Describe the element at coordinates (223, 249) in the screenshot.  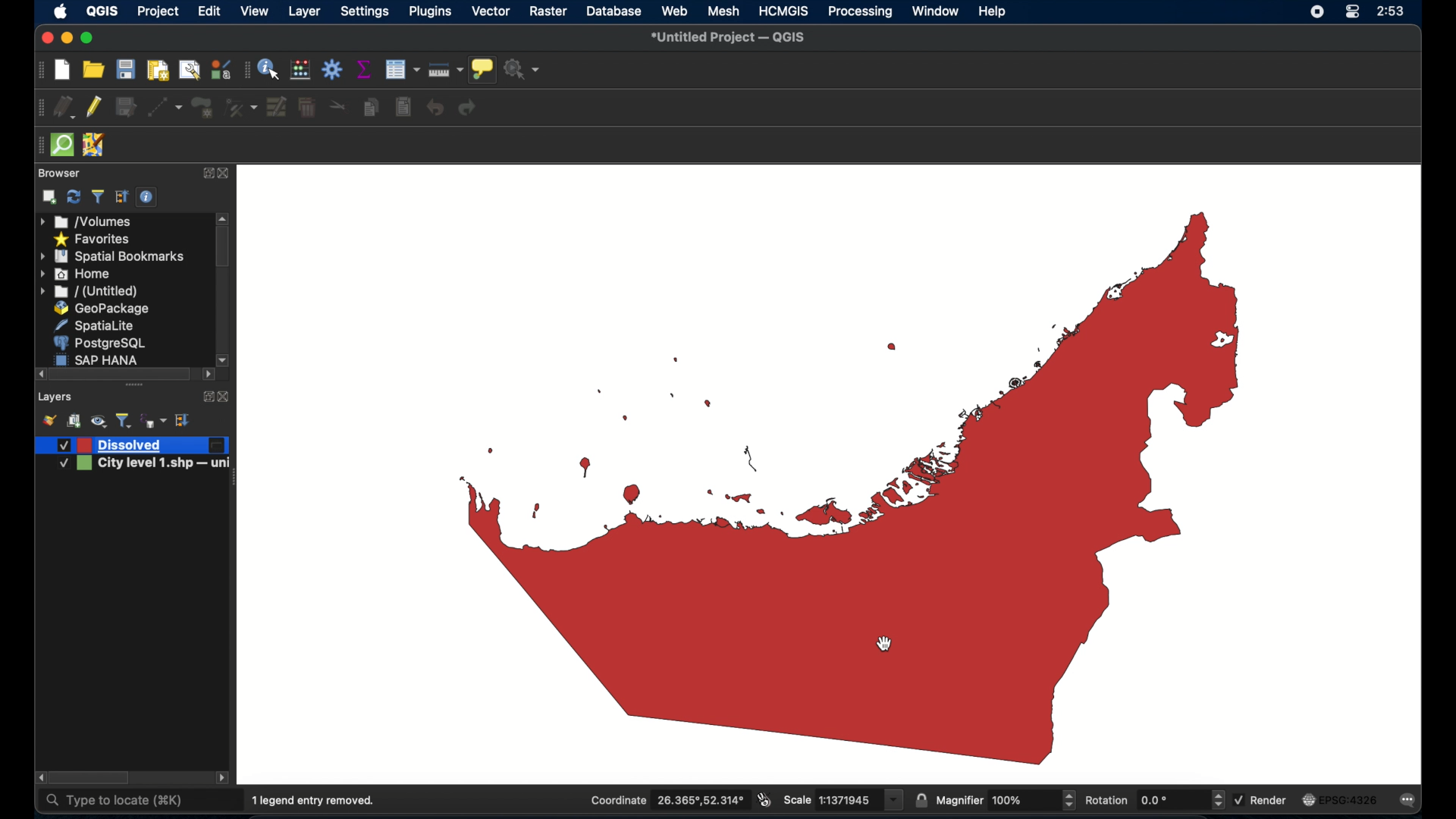
I see `scroll box` at that location.